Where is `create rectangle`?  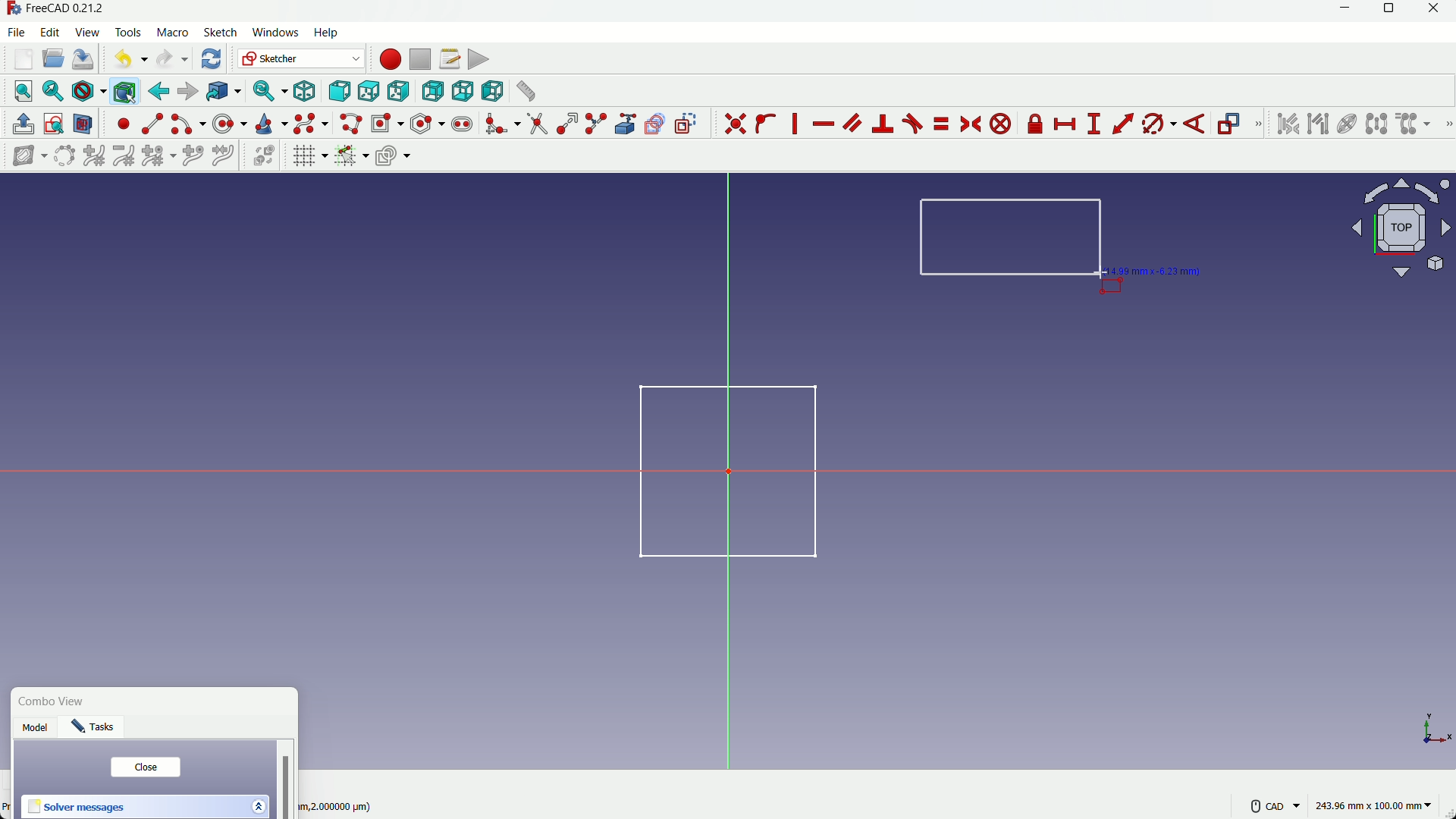 create rectangle is located at coordinates (386, 123).